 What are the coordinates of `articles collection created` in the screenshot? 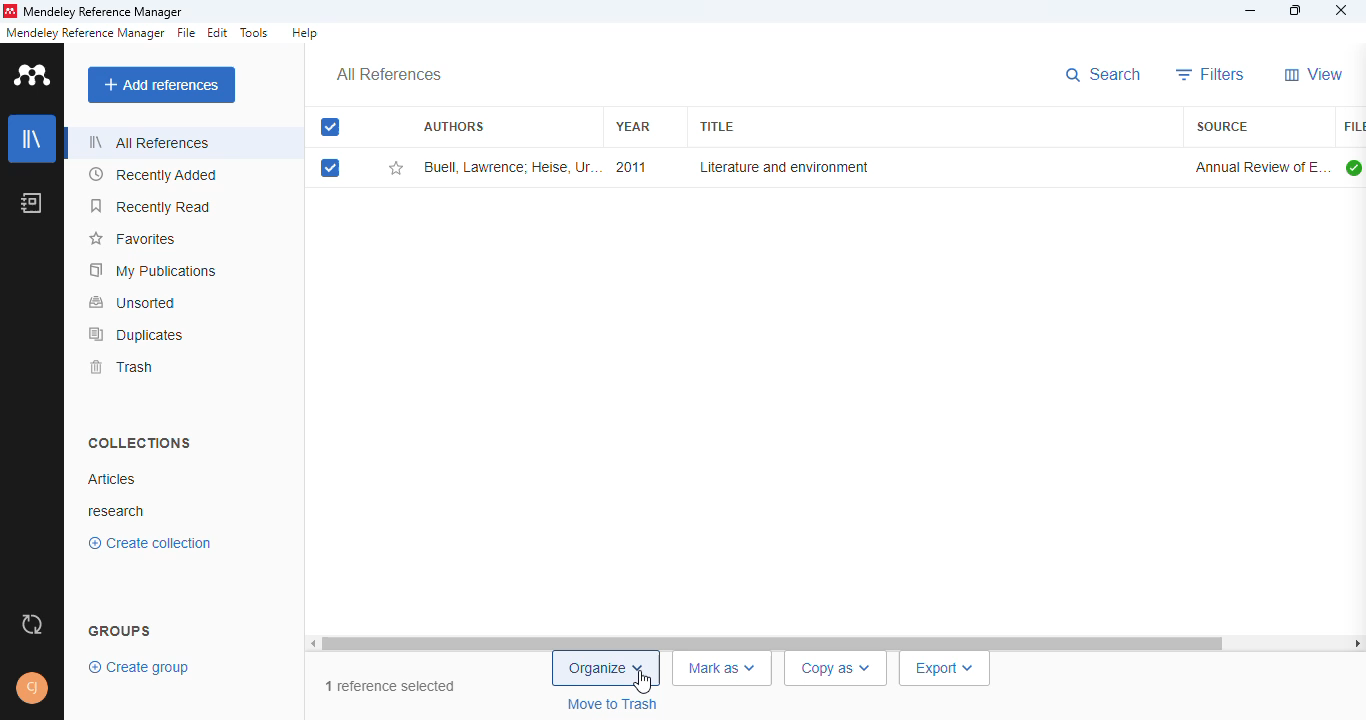 It's located at (111, 479).